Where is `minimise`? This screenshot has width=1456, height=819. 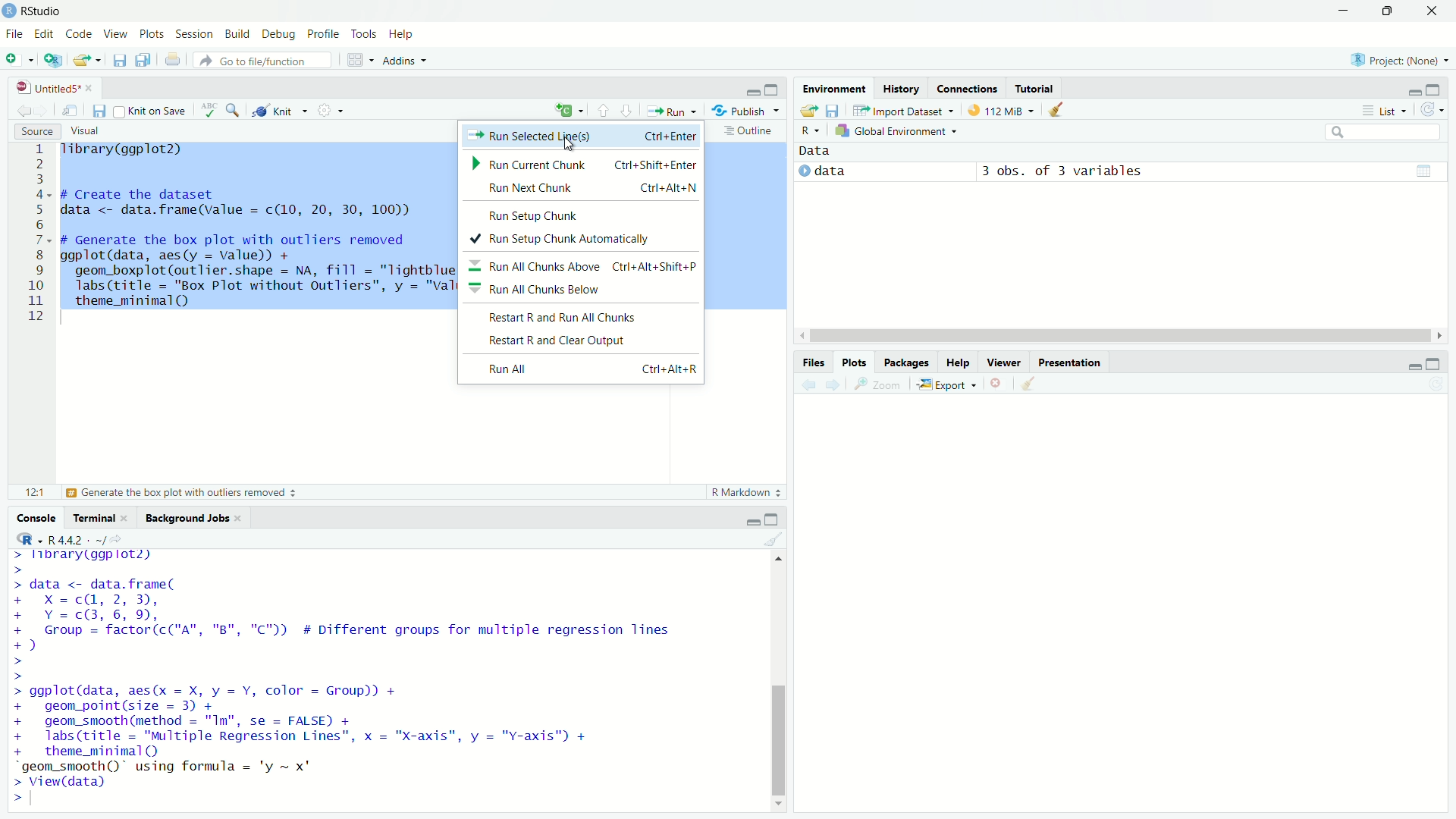
minimise is located at coordinates (1326, 12).